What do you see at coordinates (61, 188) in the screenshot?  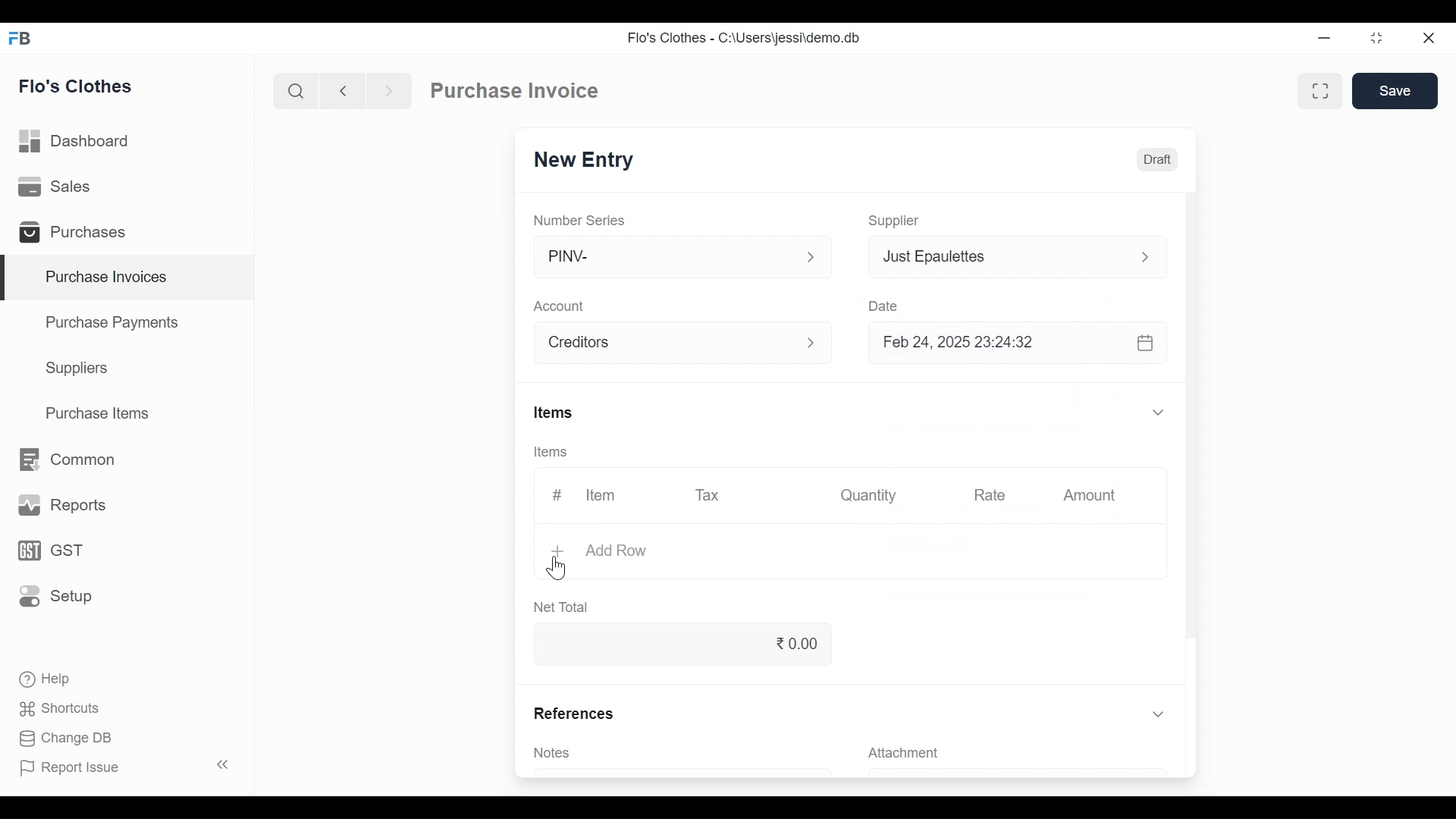 I see `Sales` at bounding box center [61, 188].